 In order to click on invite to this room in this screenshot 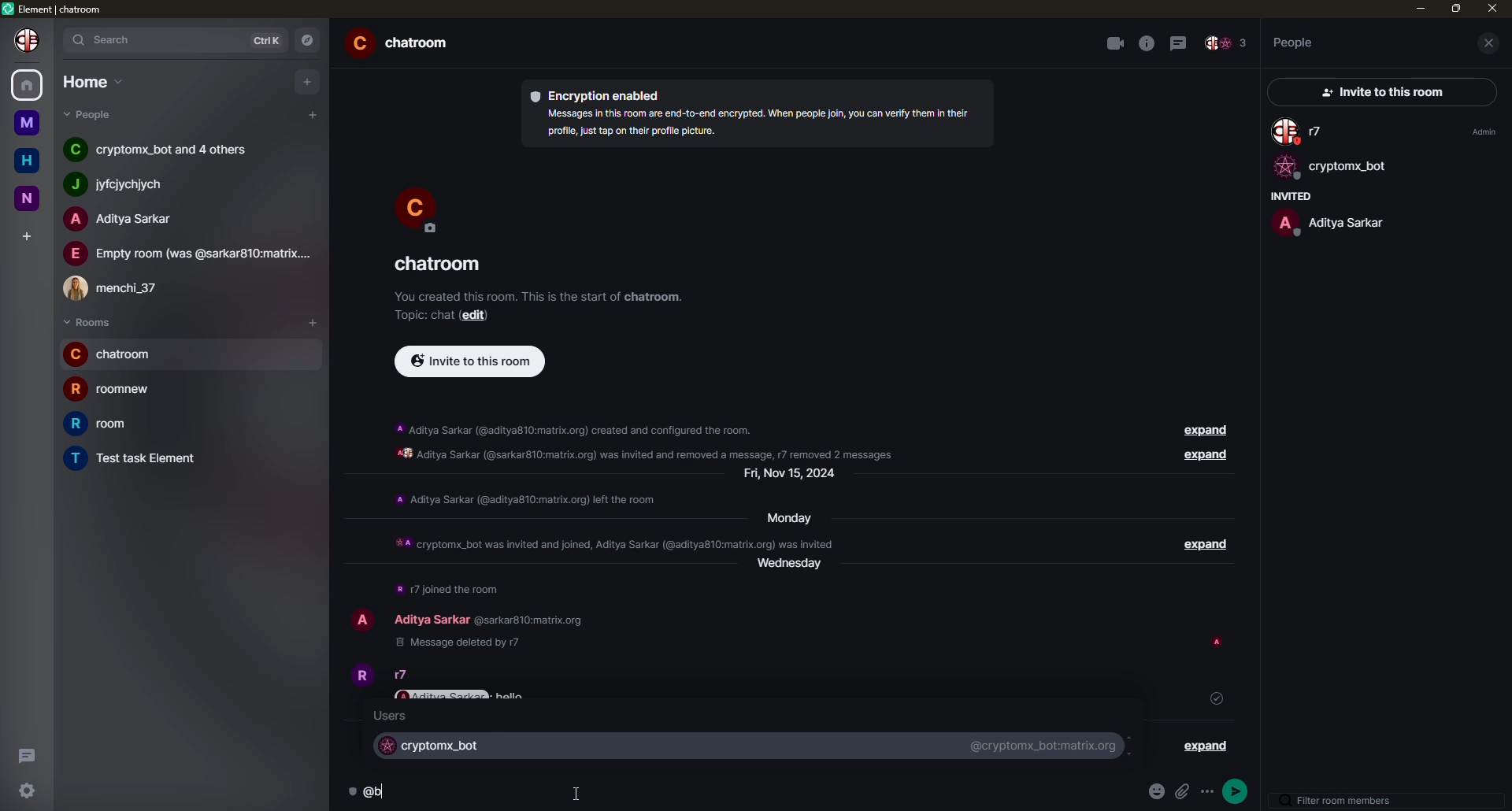, I will do `click(470, 360)`.